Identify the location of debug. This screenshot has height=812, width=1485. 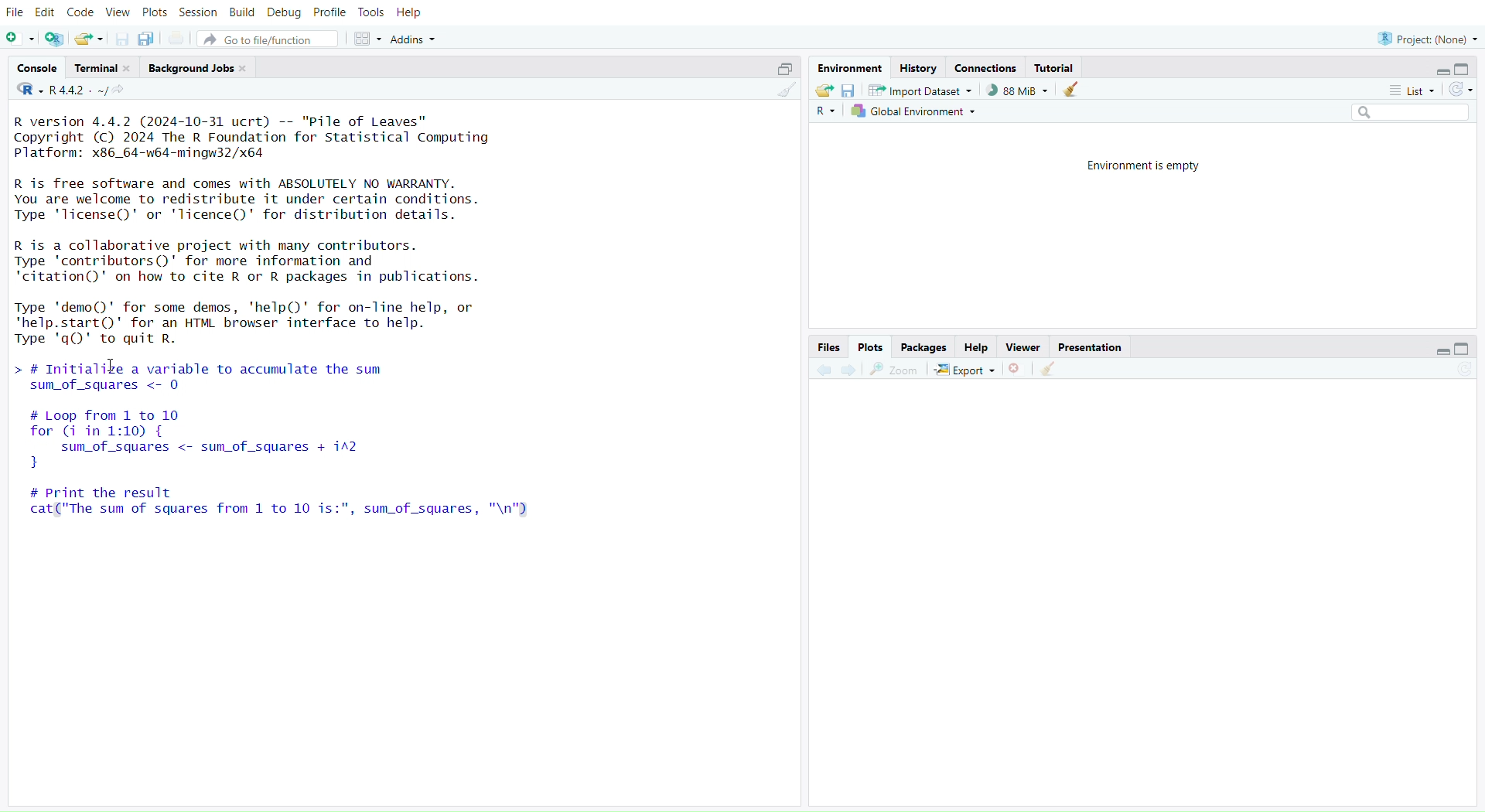
(282, 14).